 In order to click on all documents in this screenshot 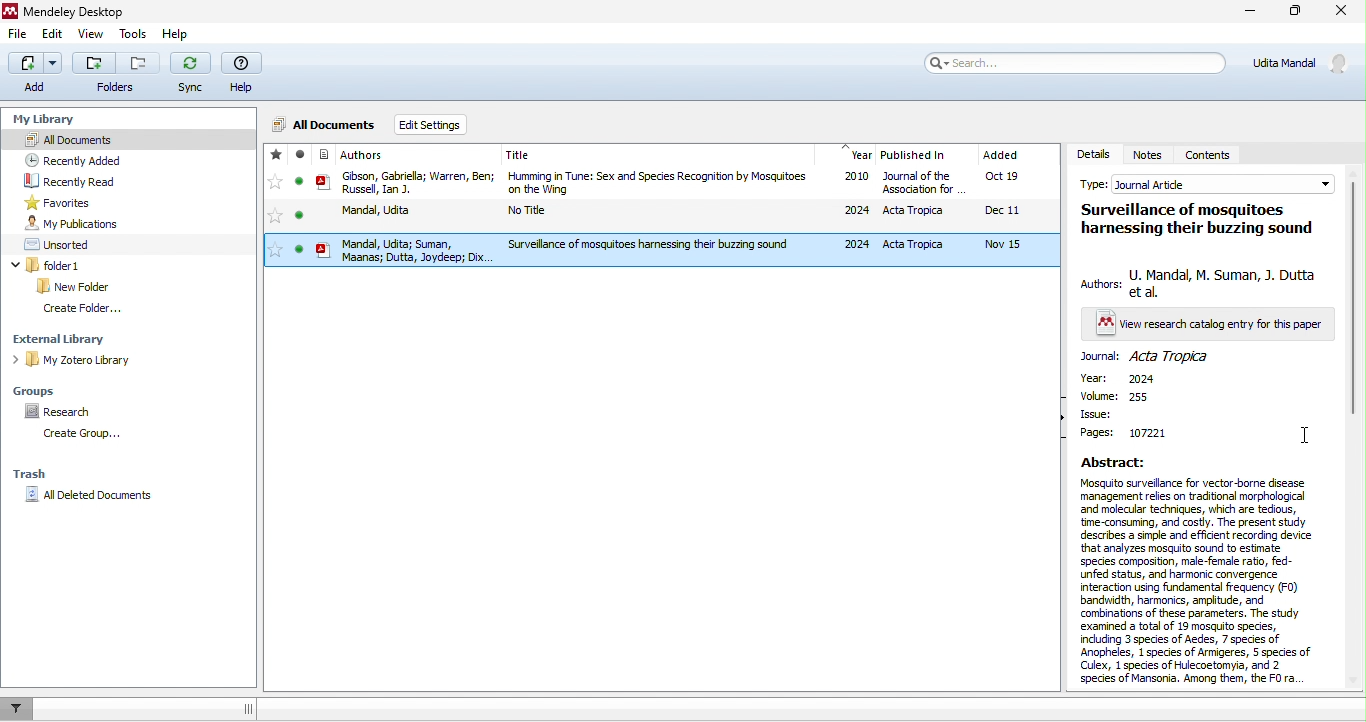, I will do `click(125, 139)`.